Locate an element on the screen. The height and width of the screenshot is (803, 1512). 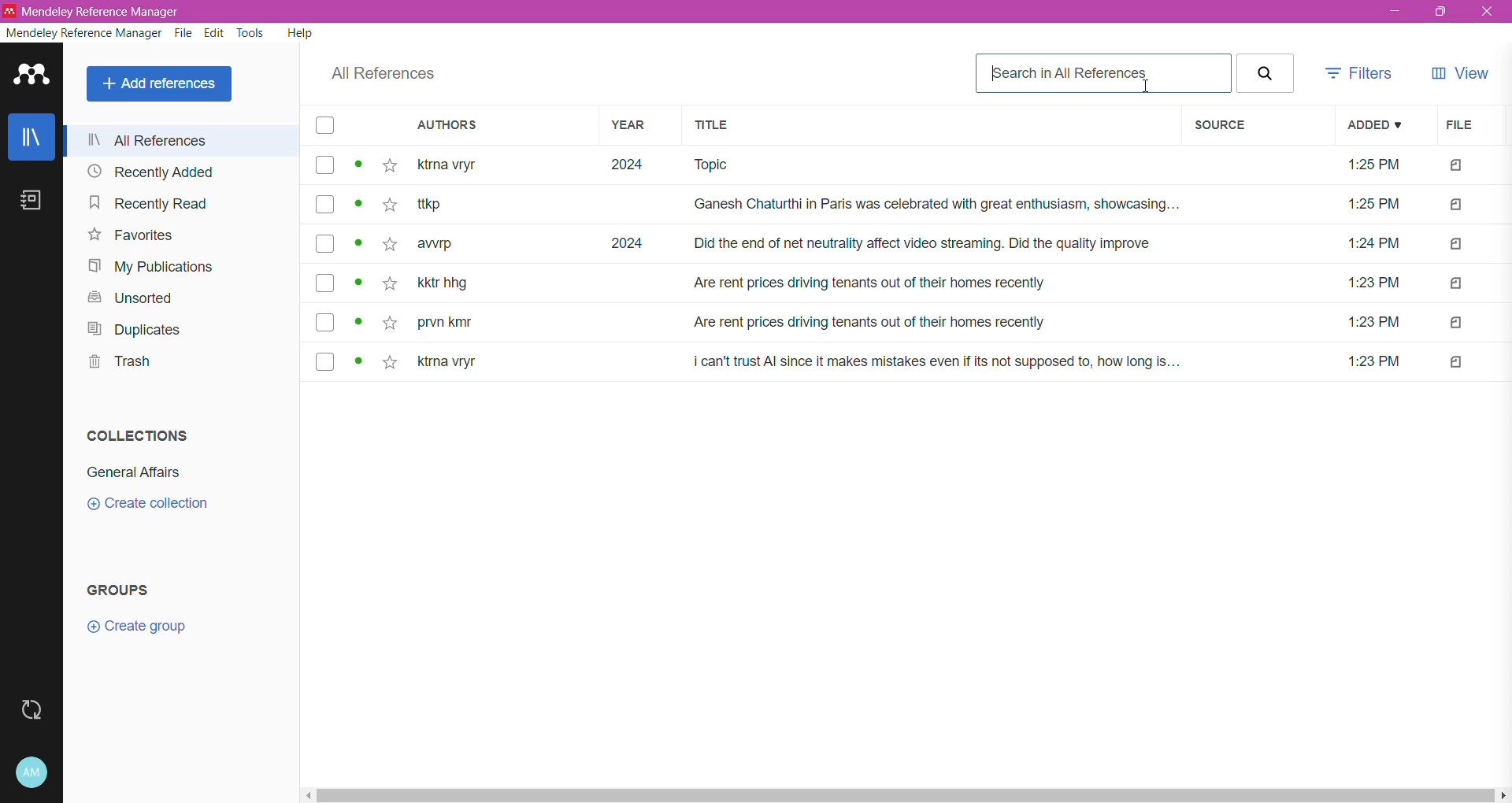
Authors is located at coordinates (491, 127).